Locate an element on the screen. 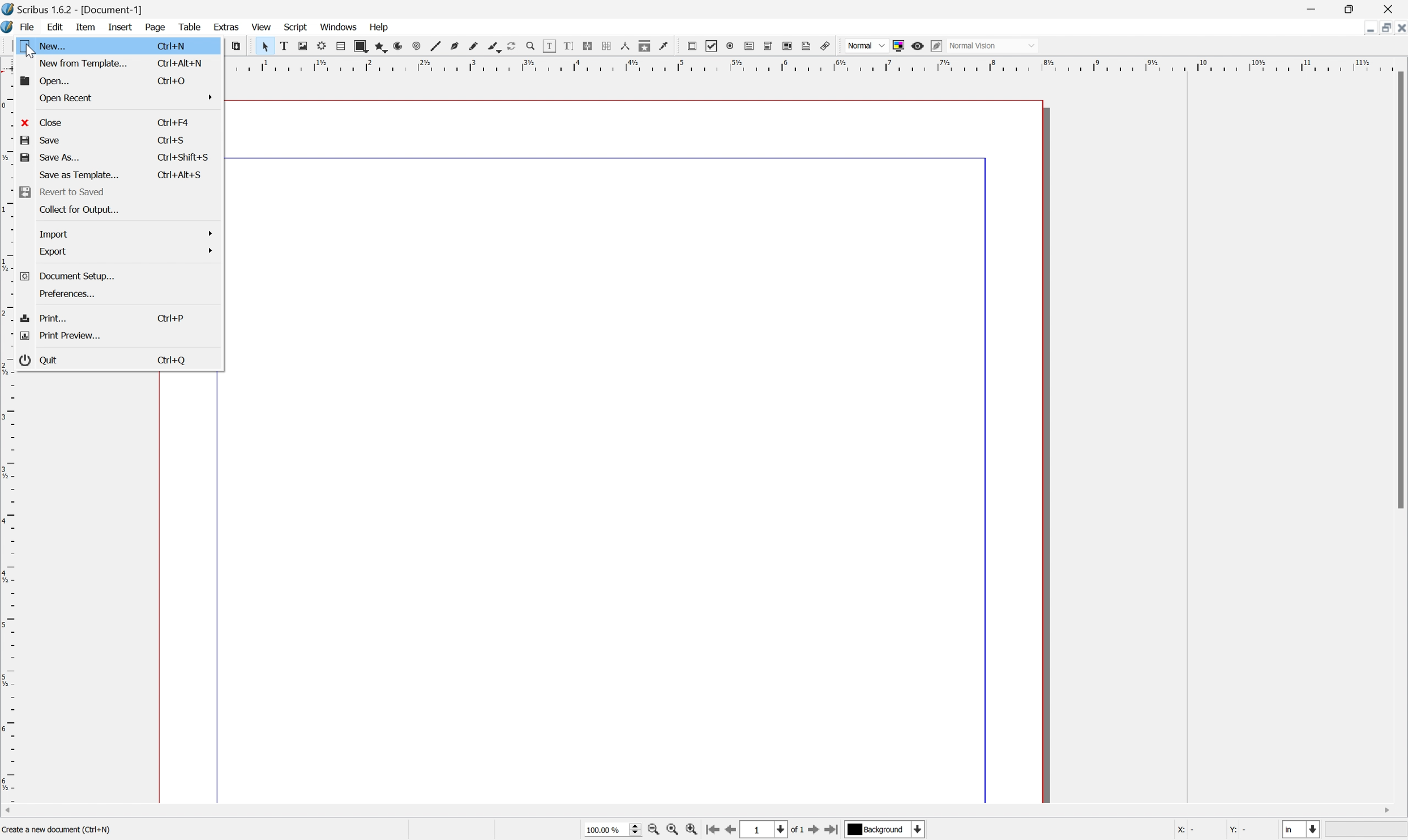  Ruler is located at coordinates (814, 64).